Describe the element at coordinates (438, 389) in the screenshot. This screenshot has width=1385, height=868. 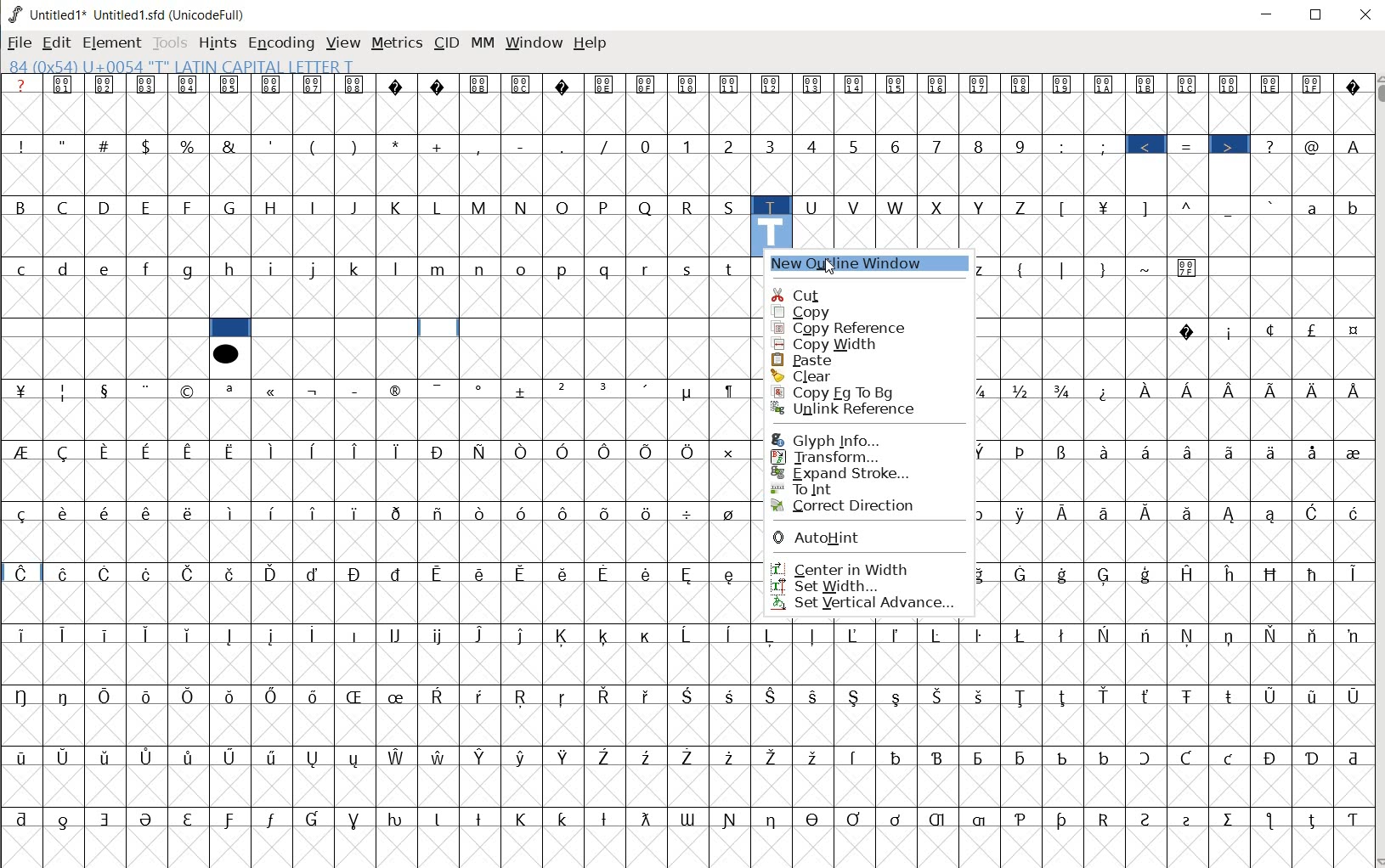
I see `Symbol` at that location.